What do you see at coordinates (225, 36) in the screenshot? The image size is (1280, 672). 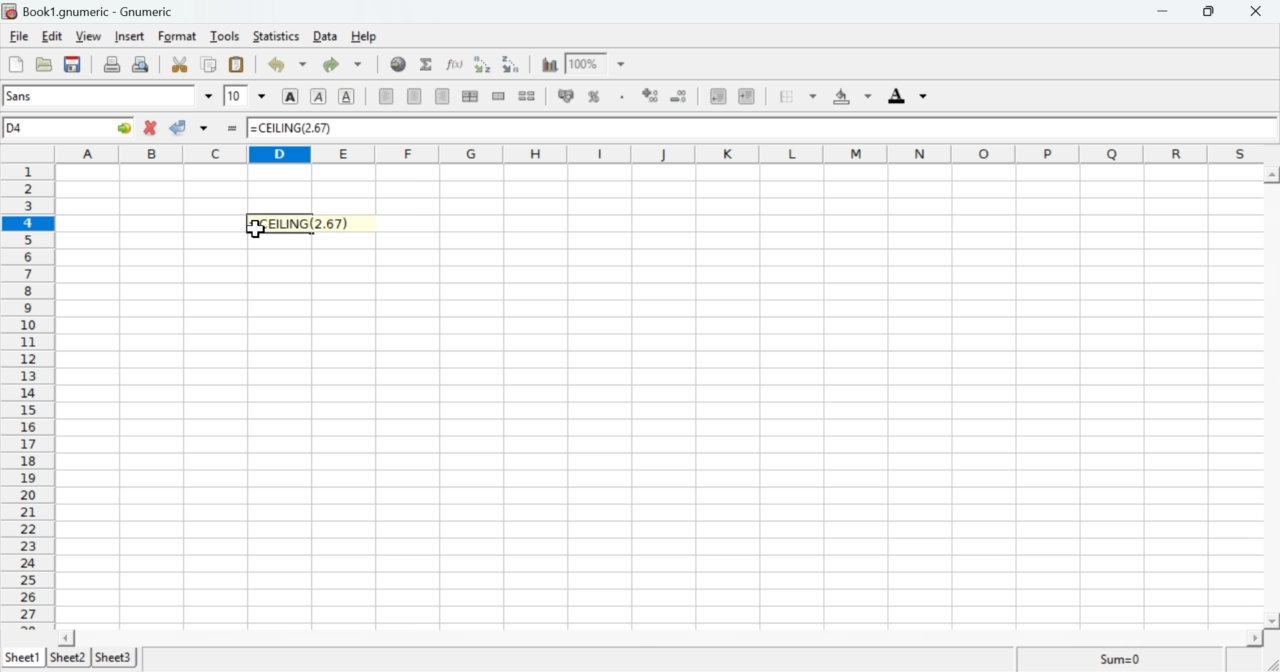 I see `Tools` at bounding box center [225, 36].